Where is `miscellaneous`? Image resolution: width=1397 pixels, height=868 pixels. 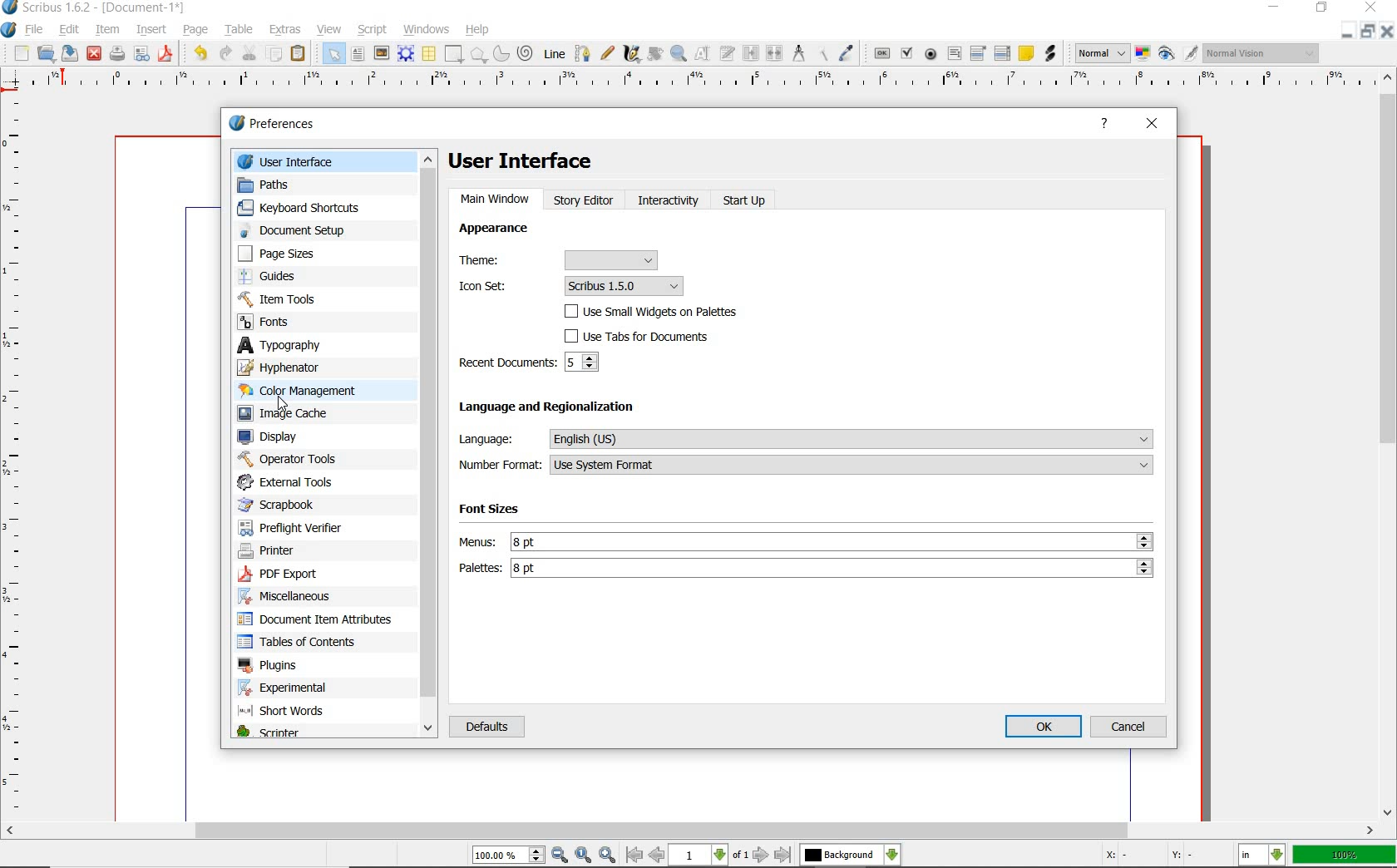 miscellaneous is located at coordinates (311, 598).